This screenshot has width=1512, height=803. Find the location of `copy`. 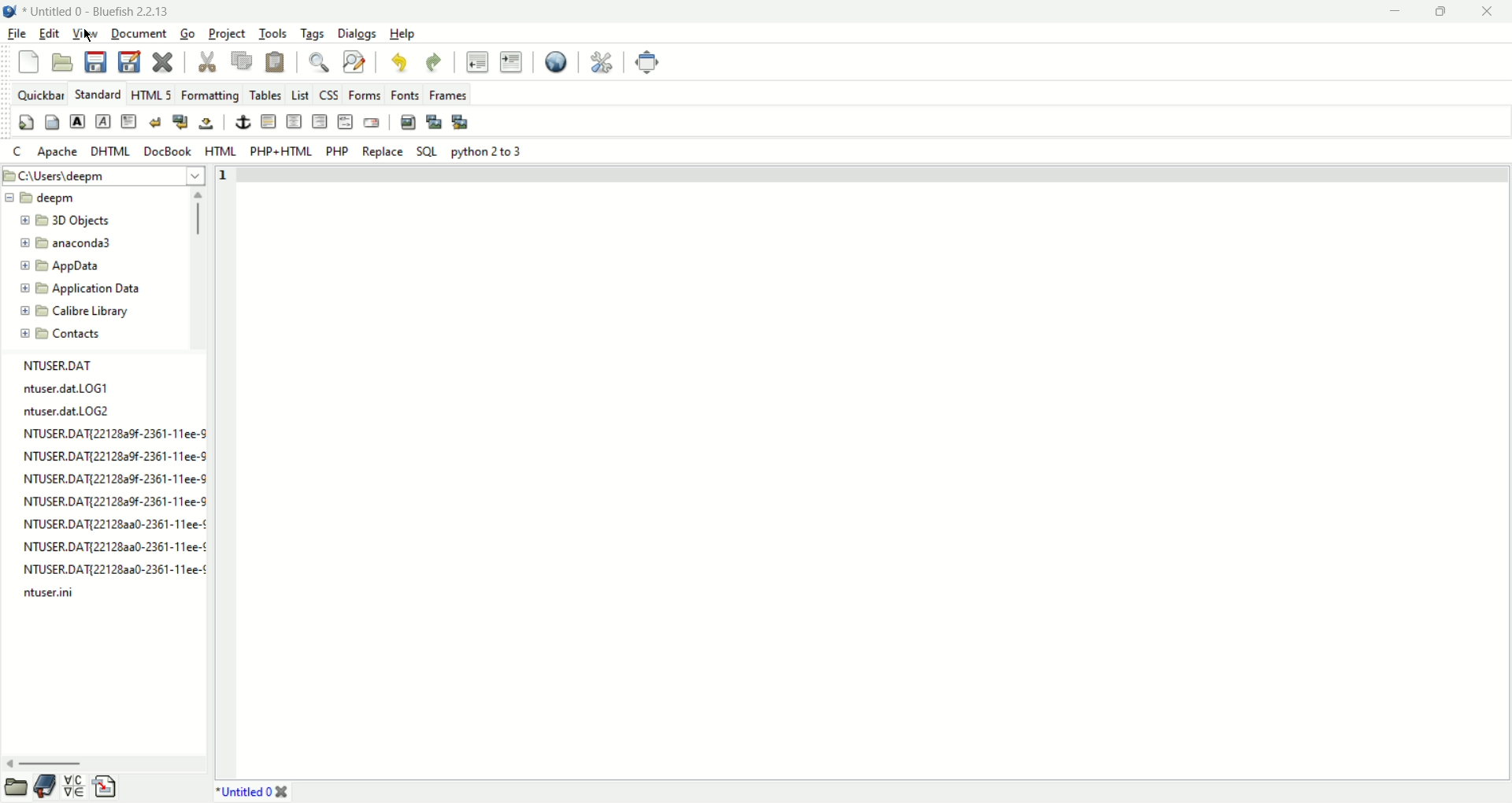

copy is located at coordinates (243, 61).